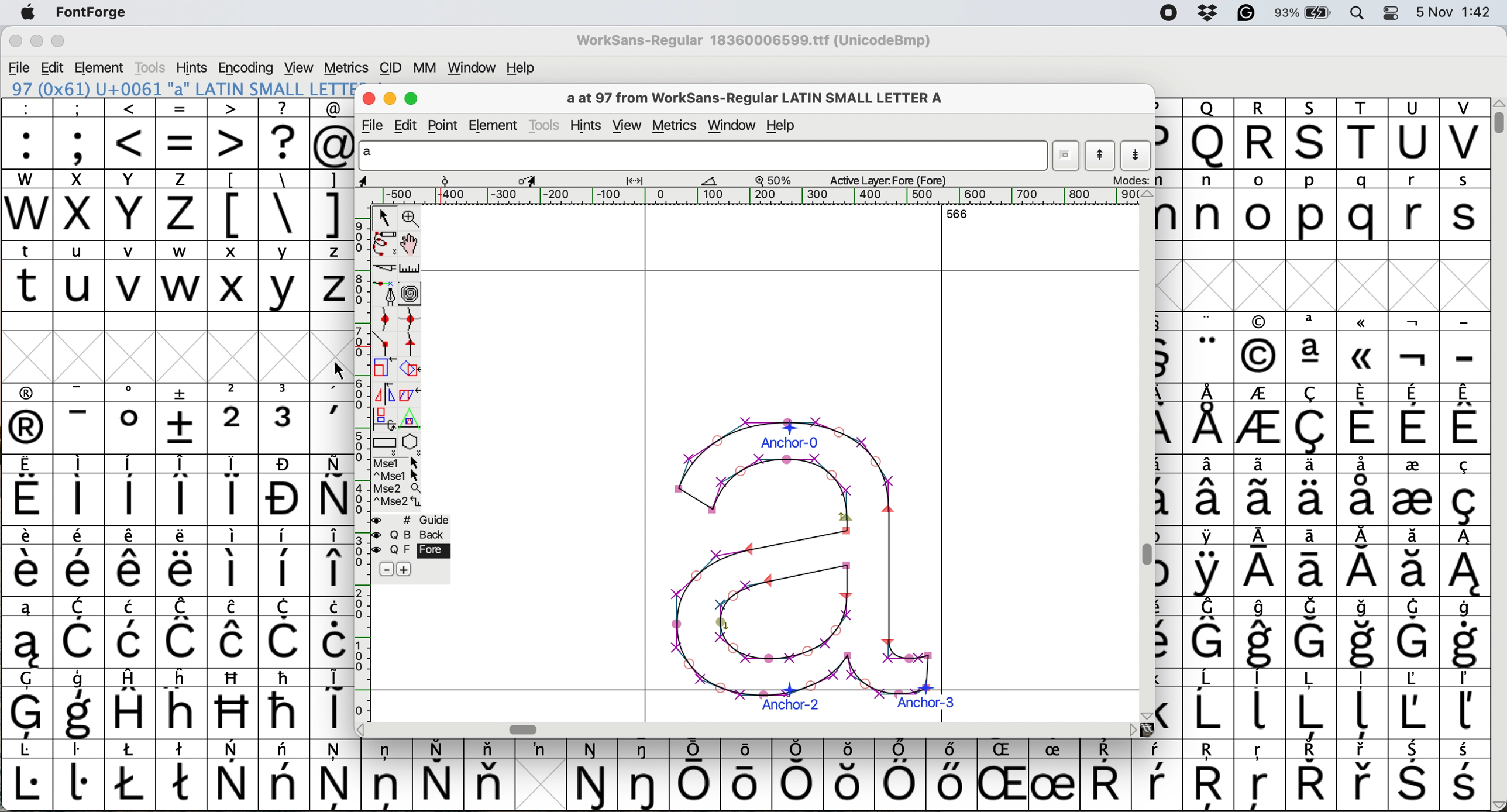  Describe the element at coordinates (1313, 419) in the screenshot. I see `symbol` at that location.